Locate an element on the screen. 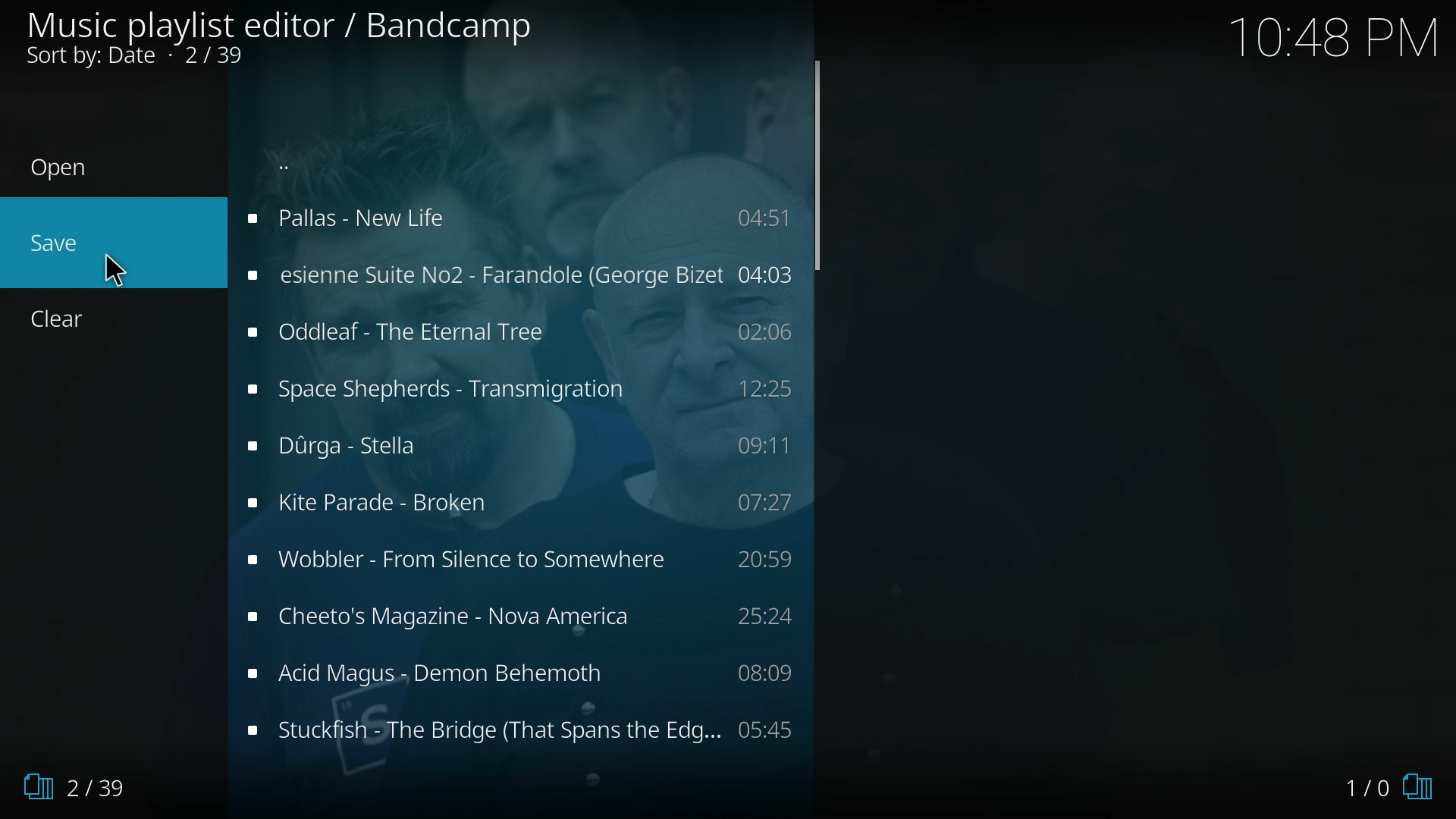 Image resolution: width=1456 pixels, height=819 pixels. song is located at coordinates (519, 673).